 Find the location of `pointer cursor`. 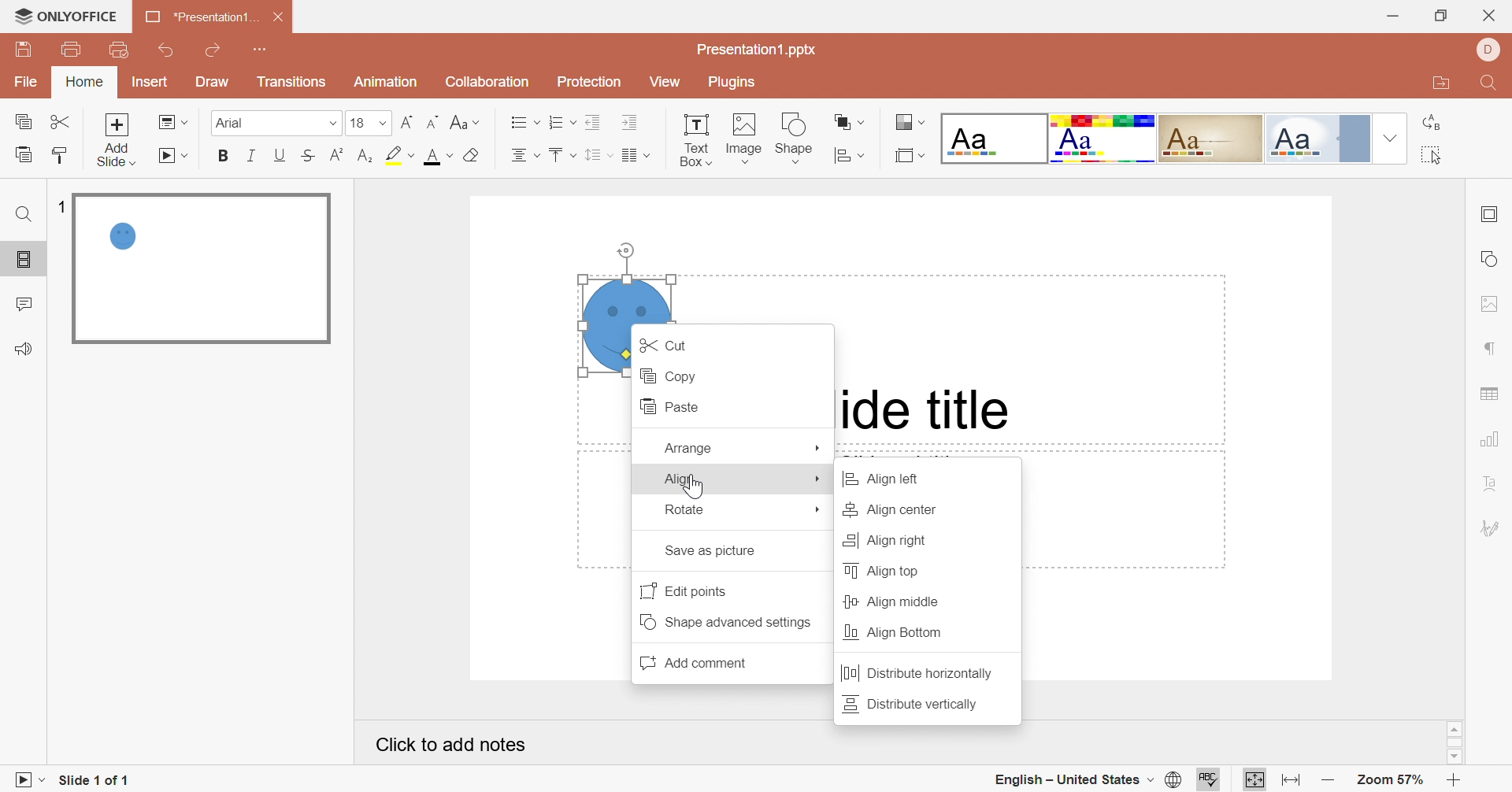

pointer cursor is located at coordinates (689, 488).